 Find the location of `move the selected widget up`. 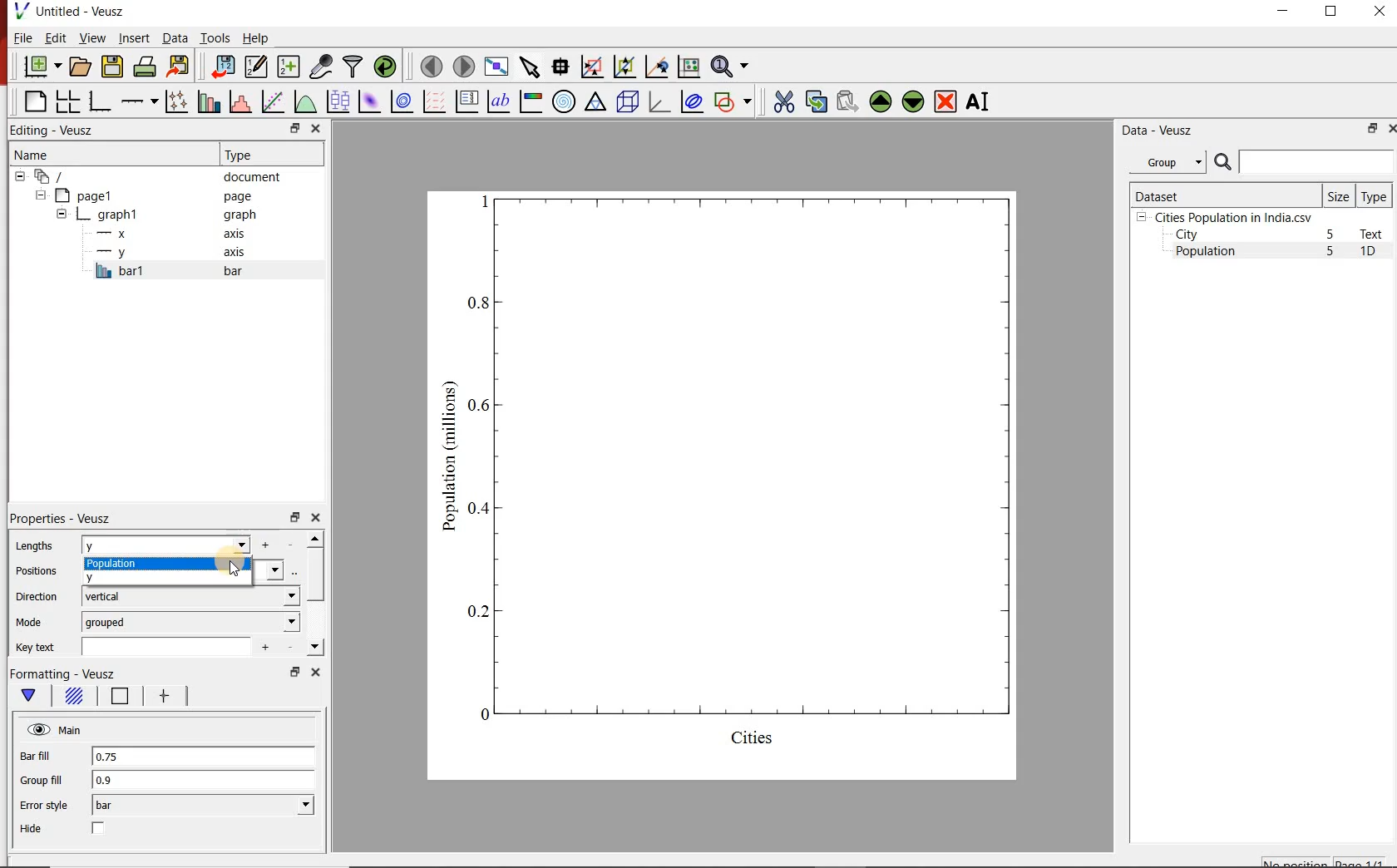

move the selected widget up is located at coordinates (881, 101).